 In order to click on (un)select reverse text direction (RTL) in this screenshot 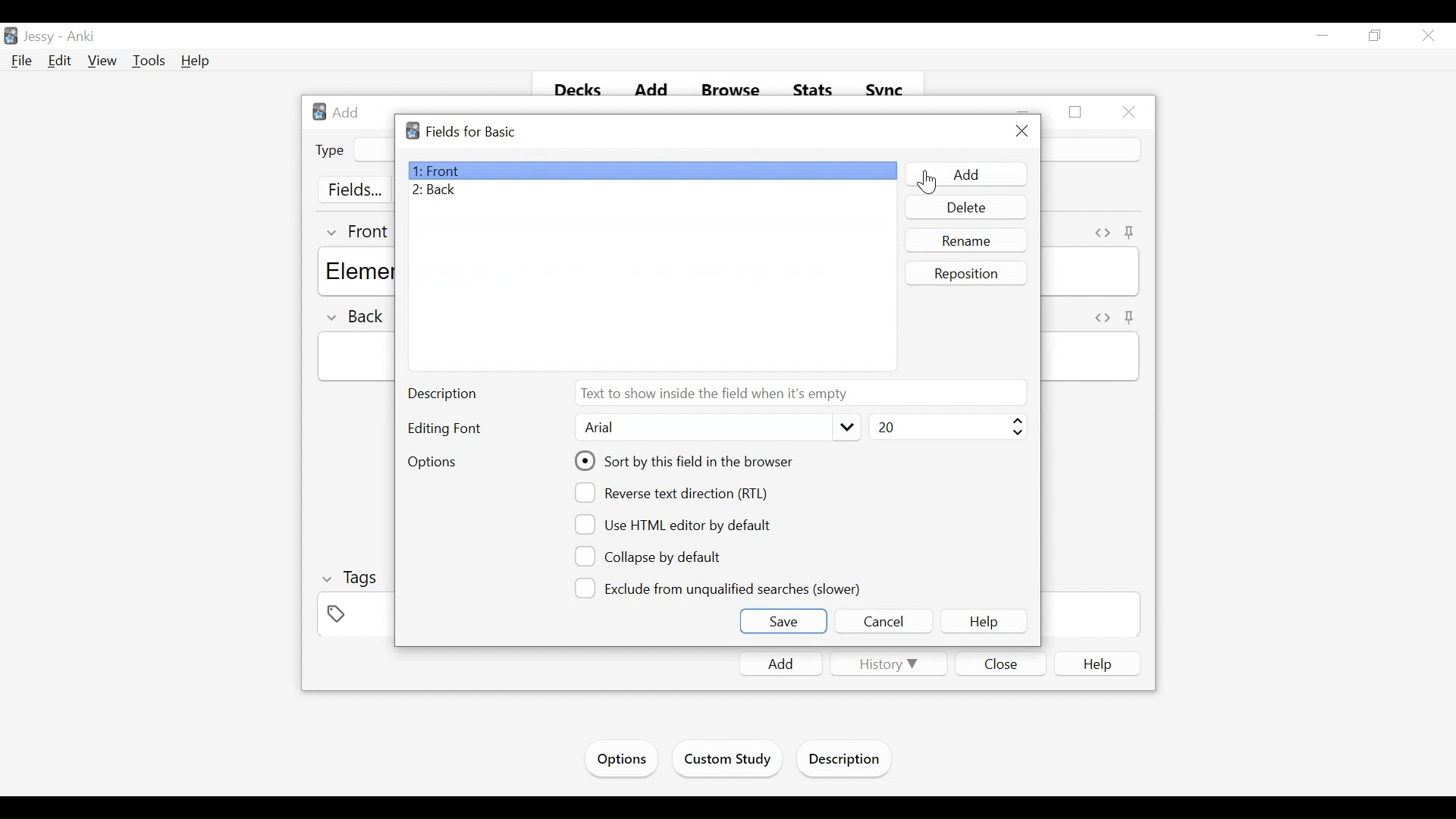, I will do `click(674, 492)`.